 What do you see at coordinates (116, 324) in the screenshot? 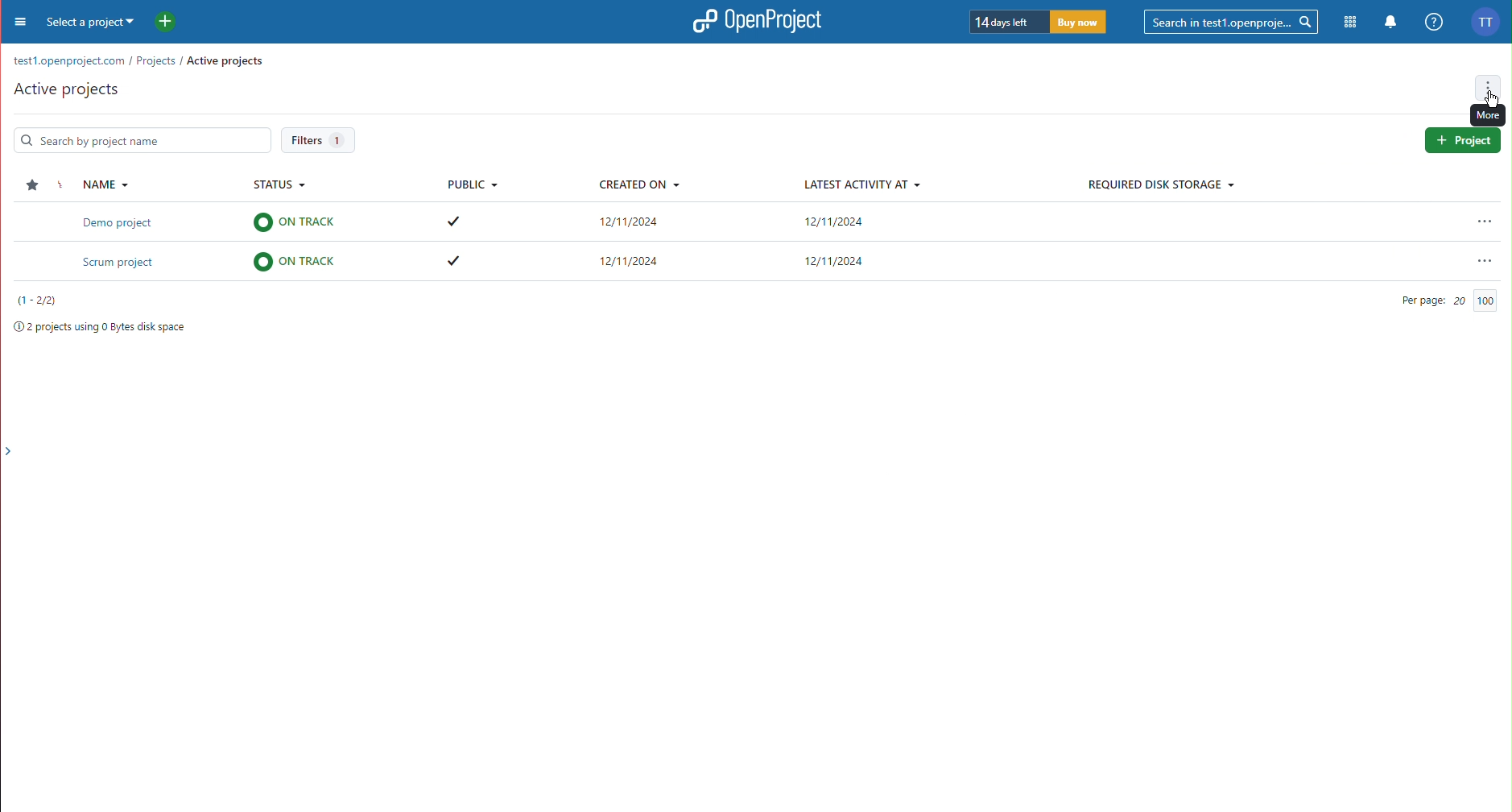
I see `Project space` at bounding box center [116, 324].